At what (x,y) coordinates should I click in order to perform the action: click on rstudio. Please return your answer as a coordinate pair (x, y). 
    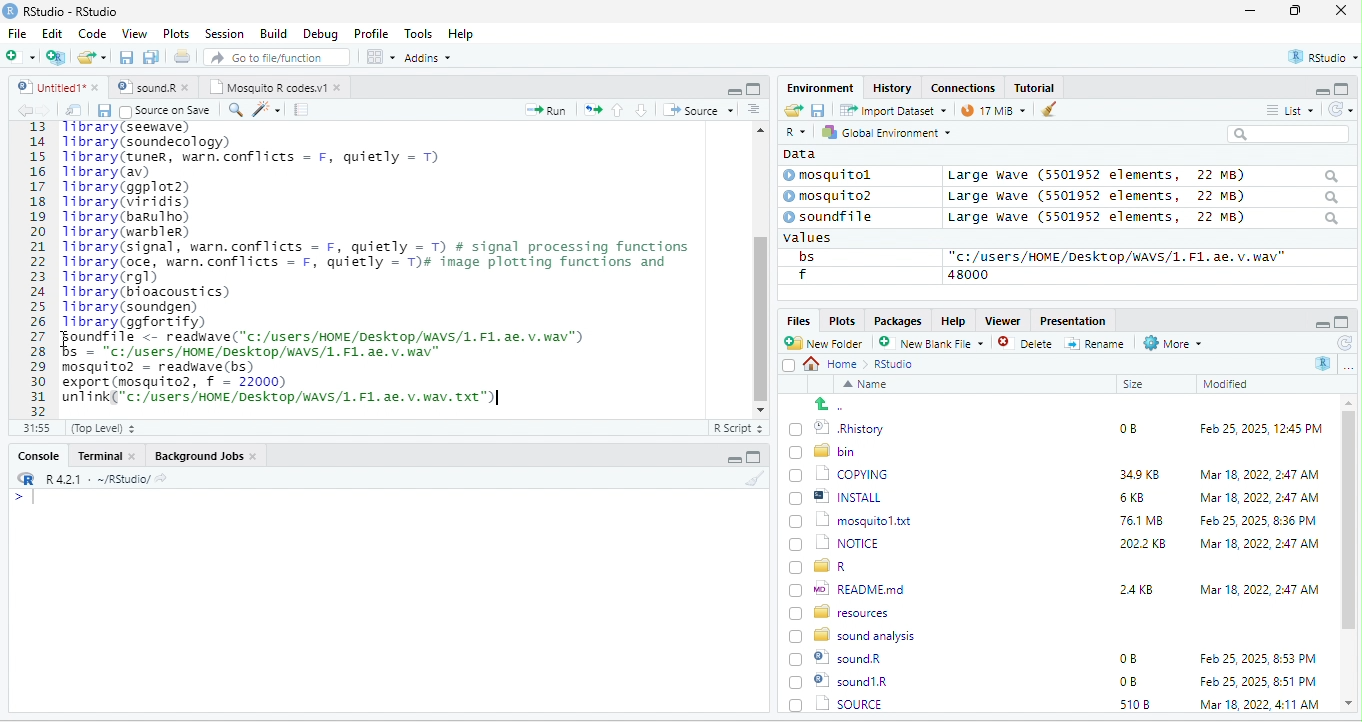
    Looking at the image, I should click on (1319, 58).